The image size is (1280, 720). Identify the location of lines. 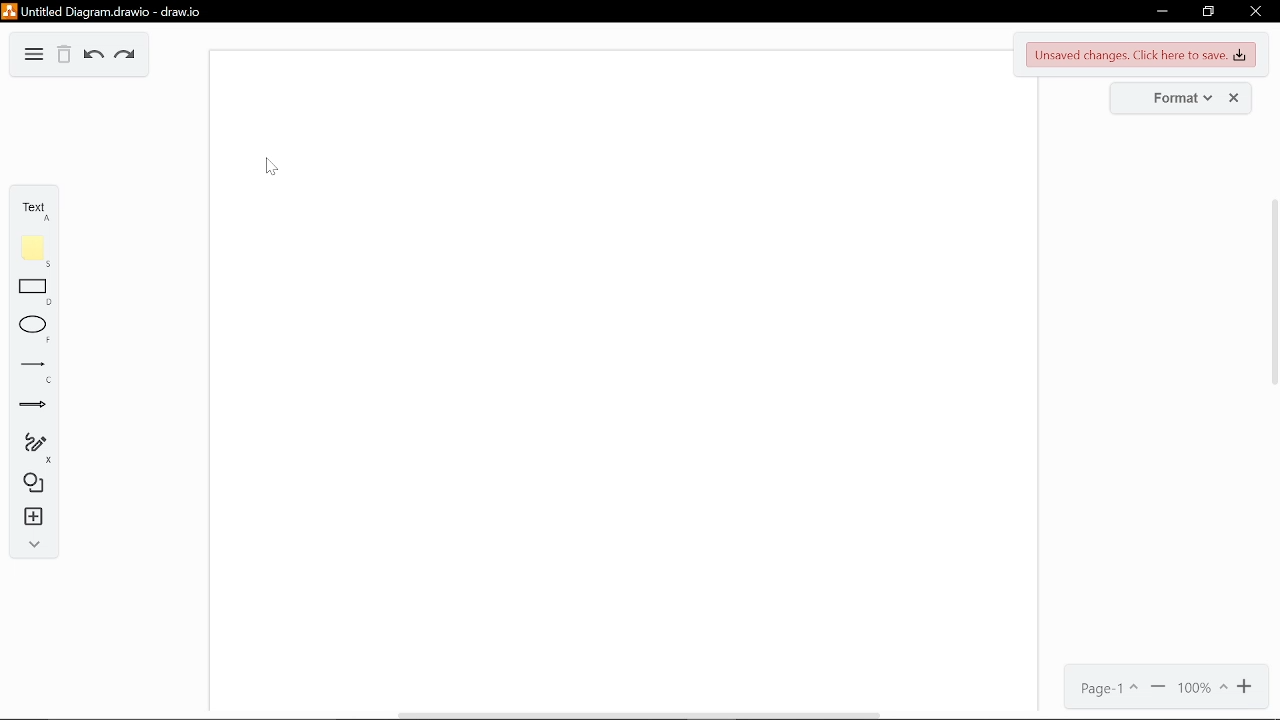
(28, 371).